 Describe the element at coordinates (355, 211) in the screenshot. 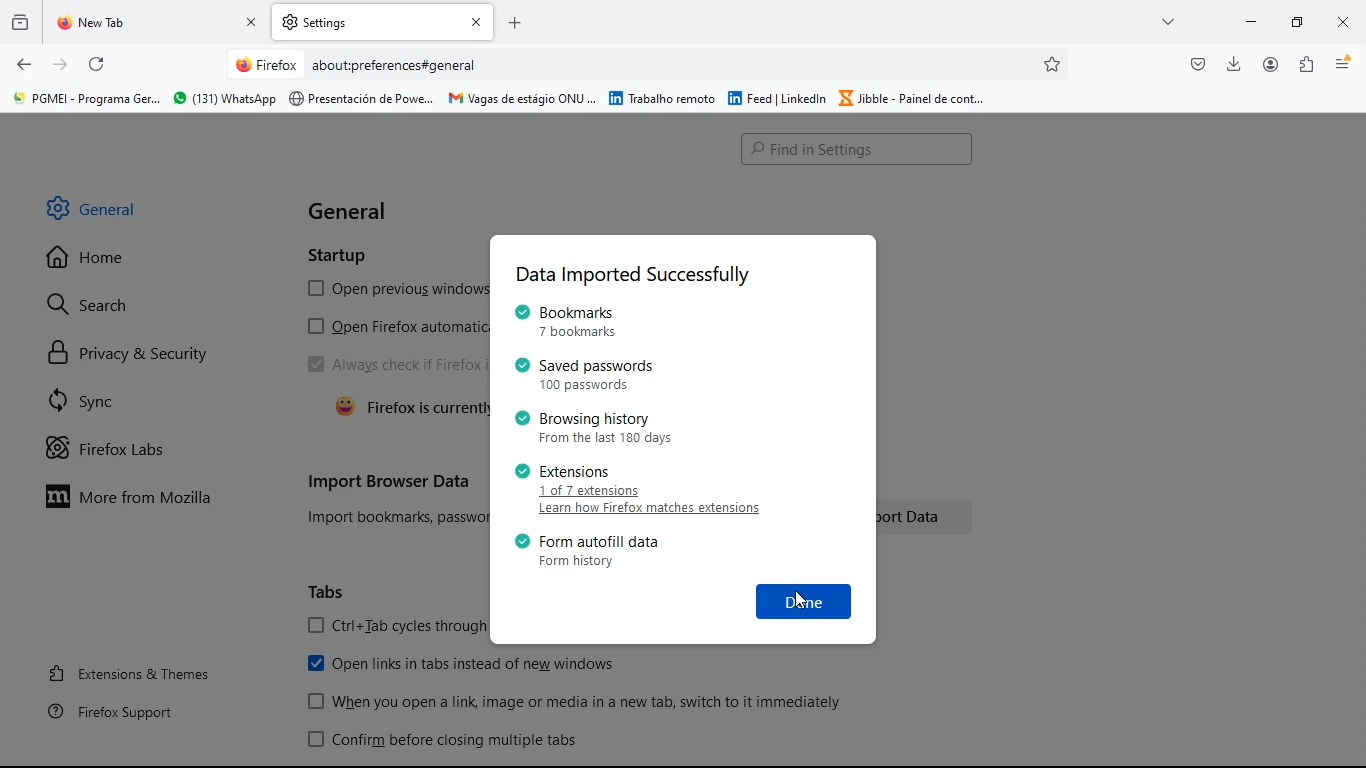

I see `general` at that location.